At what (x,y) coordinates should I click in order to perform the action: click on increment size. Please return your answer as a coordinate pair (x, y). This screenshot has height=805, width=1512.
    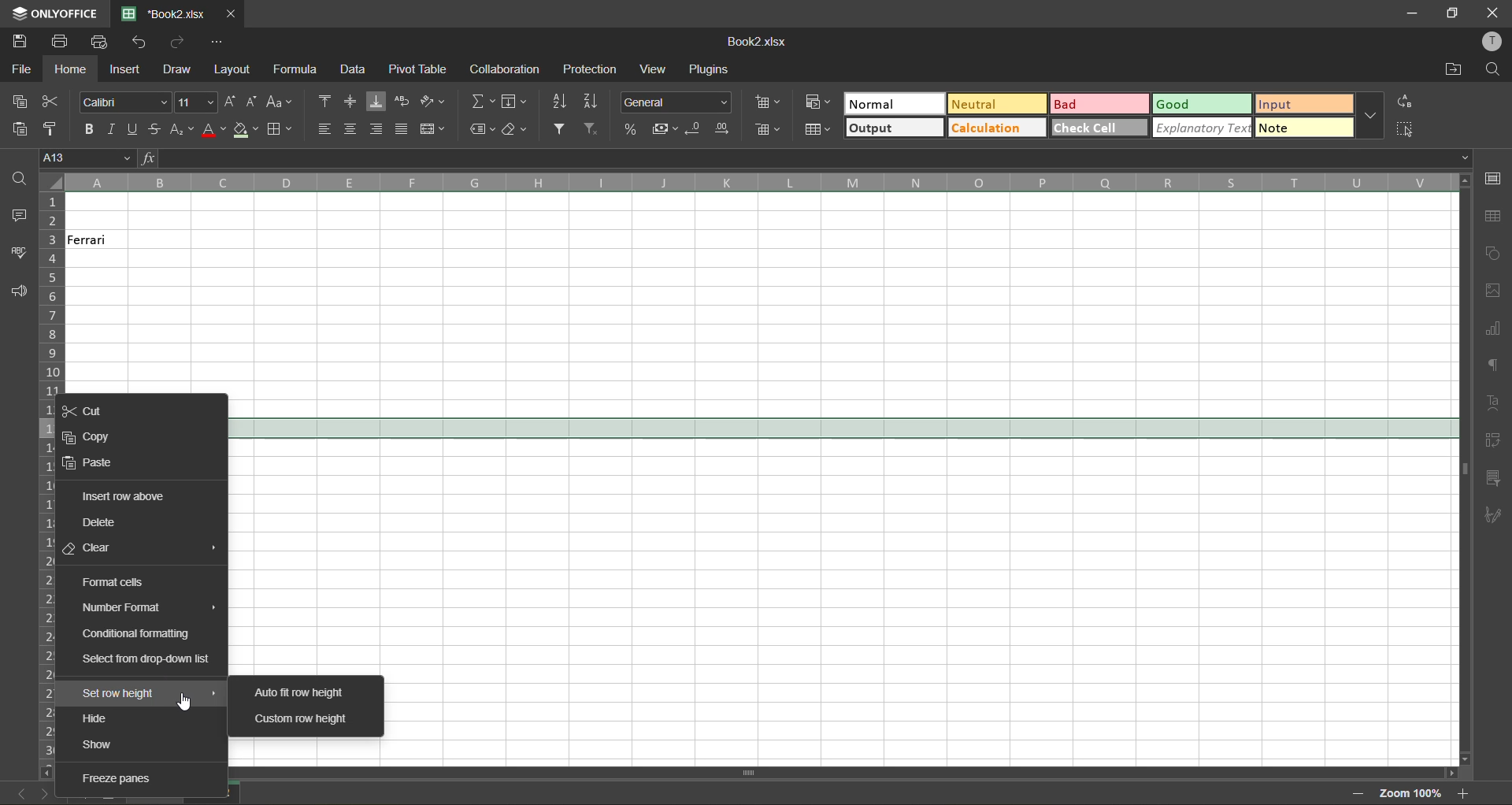
    Looking at the image, I should click on (230, 102).